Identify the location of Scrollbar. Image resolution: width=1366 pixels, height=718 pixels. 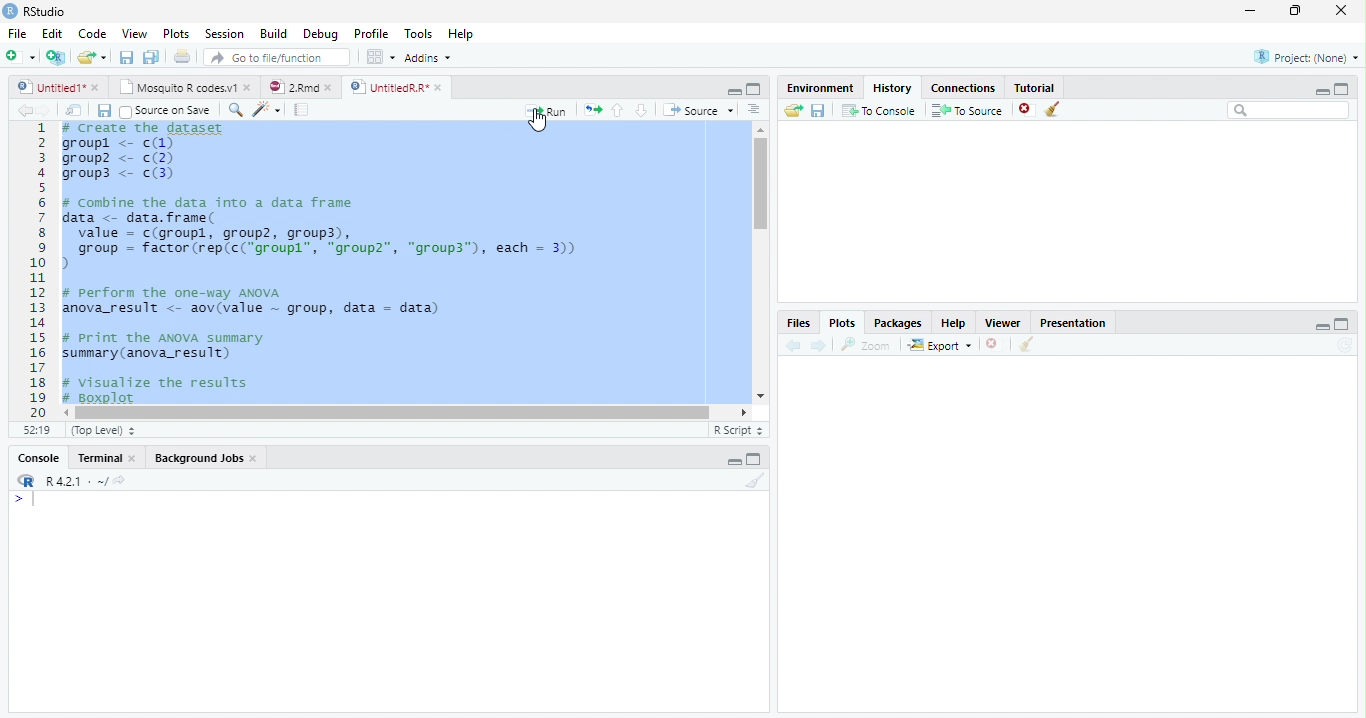
(758, 263).